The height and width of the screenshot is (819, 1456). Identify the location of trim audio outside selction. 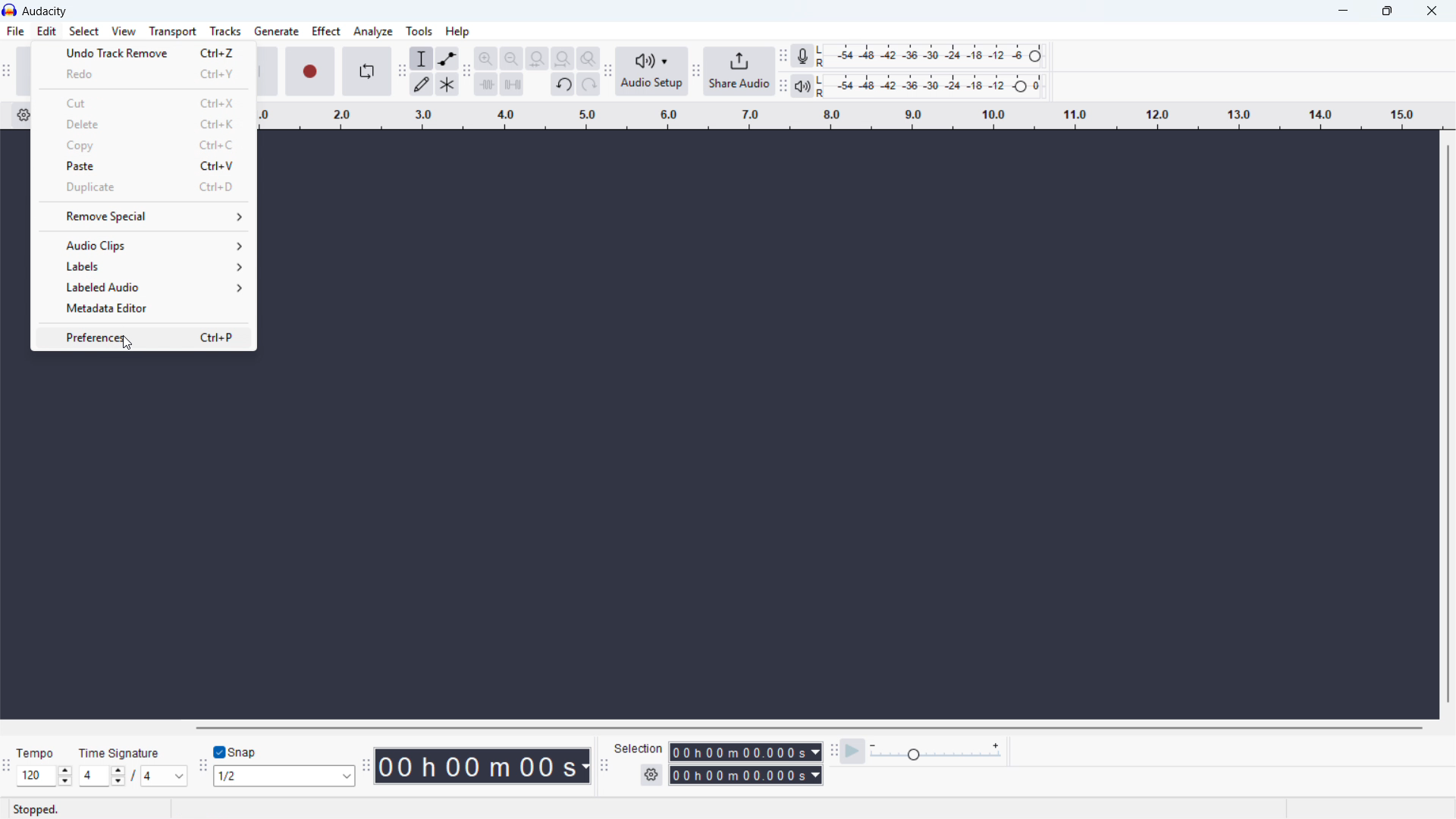
(486, 83).